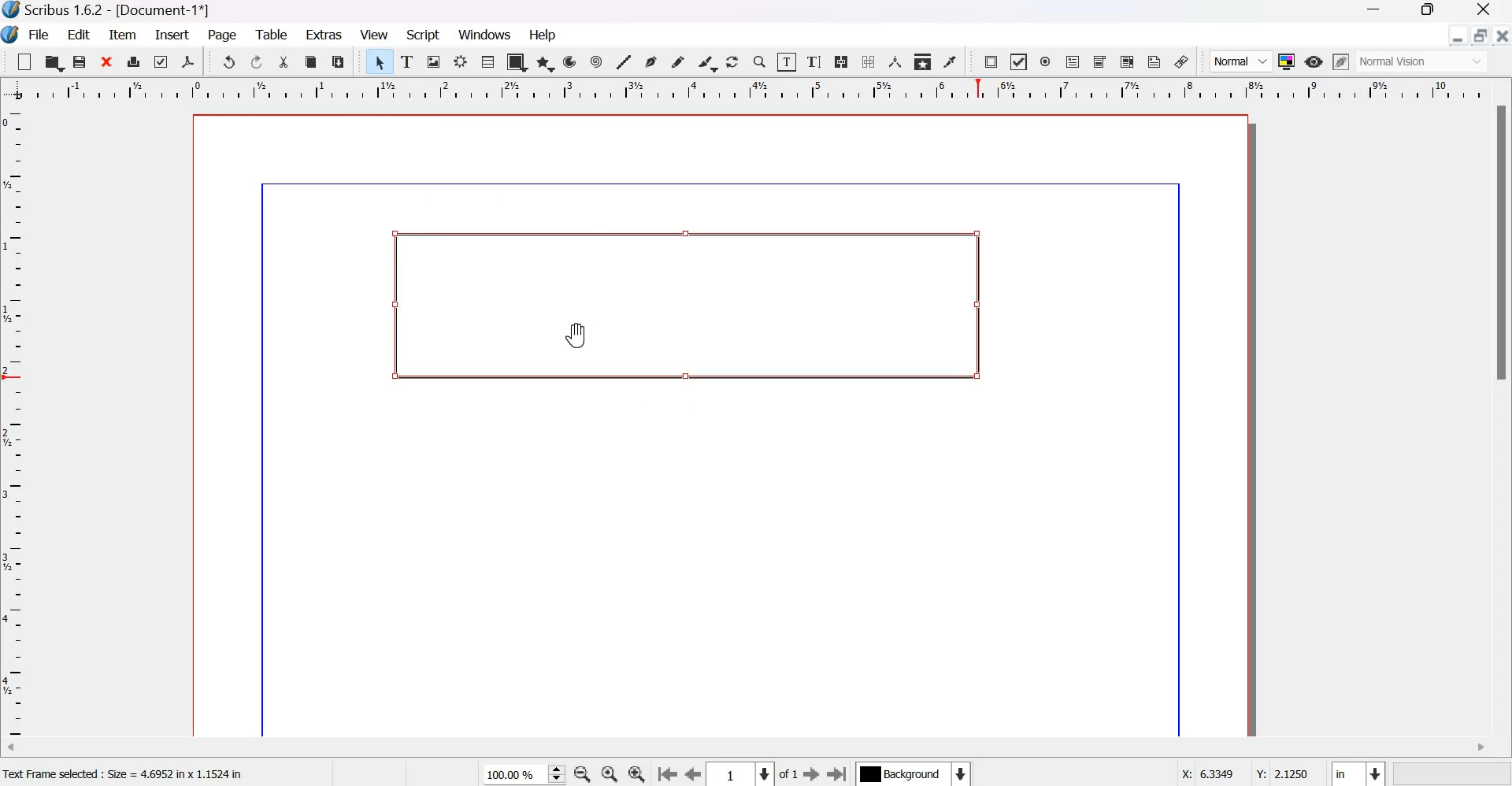  I want to click on Bezier curve, so click(650, 61).